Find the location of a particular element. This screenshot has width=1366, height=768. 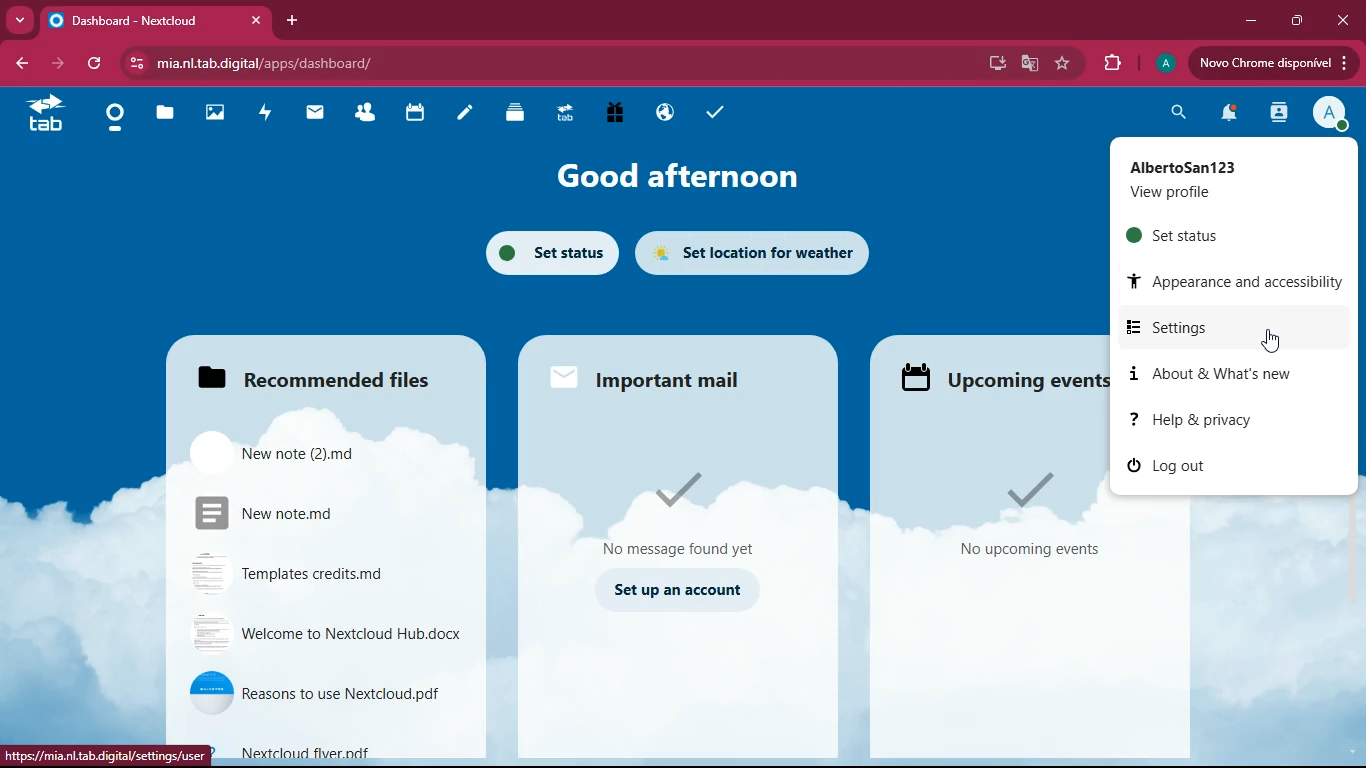

back is located at coordinates (20, 61).